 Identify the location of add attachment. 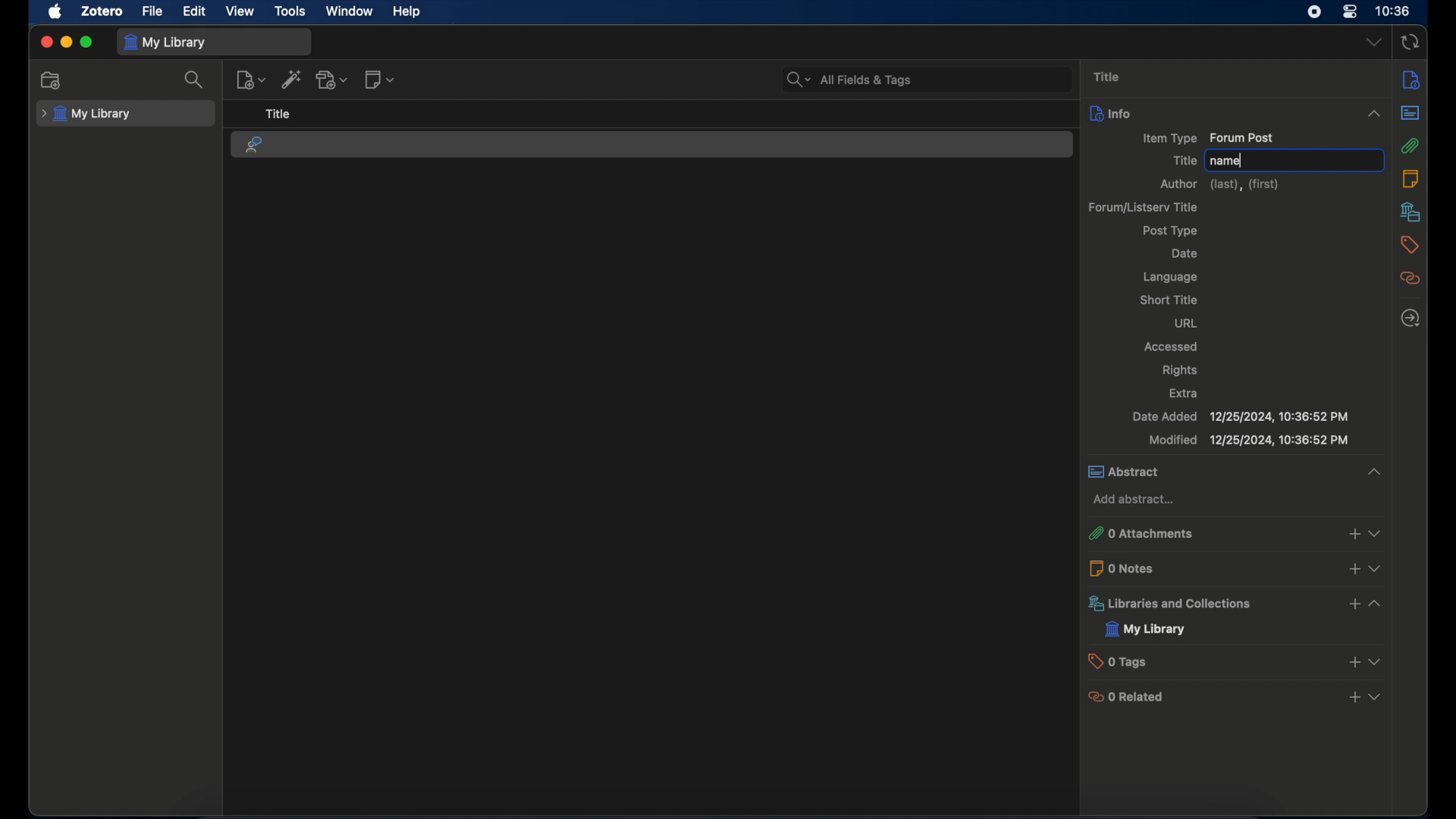
(333, 79).